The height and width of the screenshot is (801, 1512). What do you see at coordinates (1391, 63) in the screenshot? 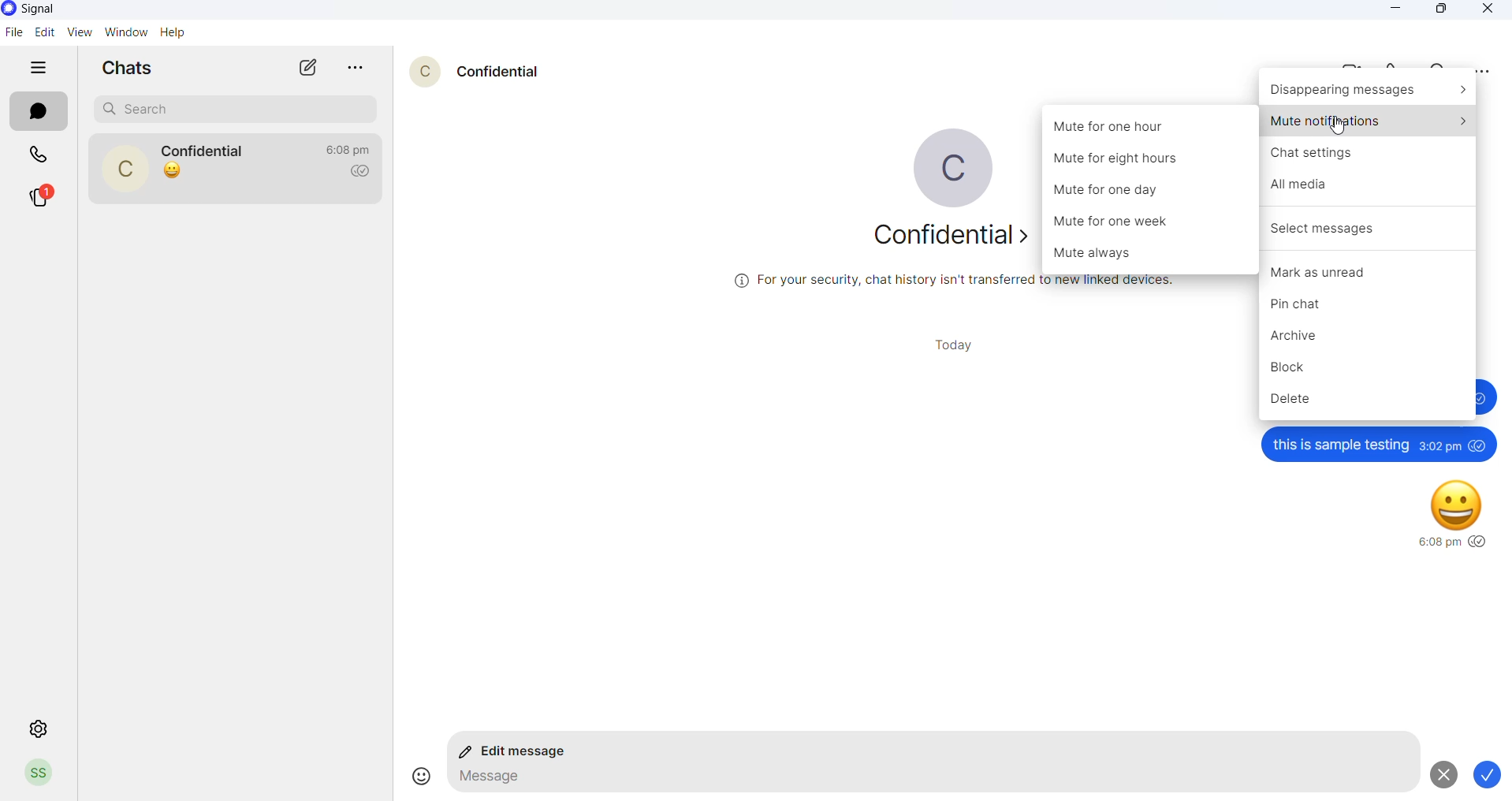
I see `voice call` at bounding box center [1391, 63].